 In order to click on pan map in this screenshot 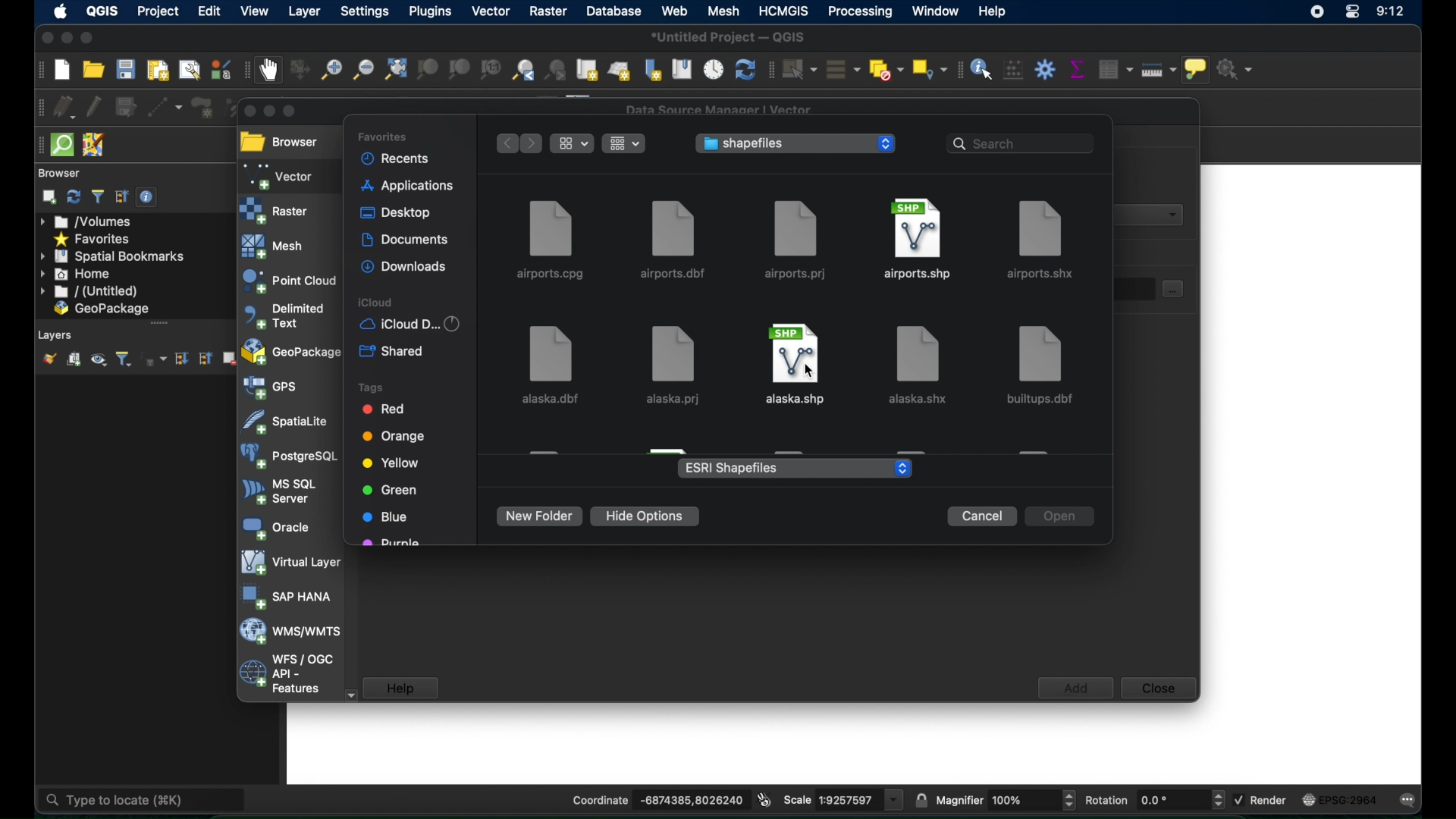, I will do `click(270, 71)`.